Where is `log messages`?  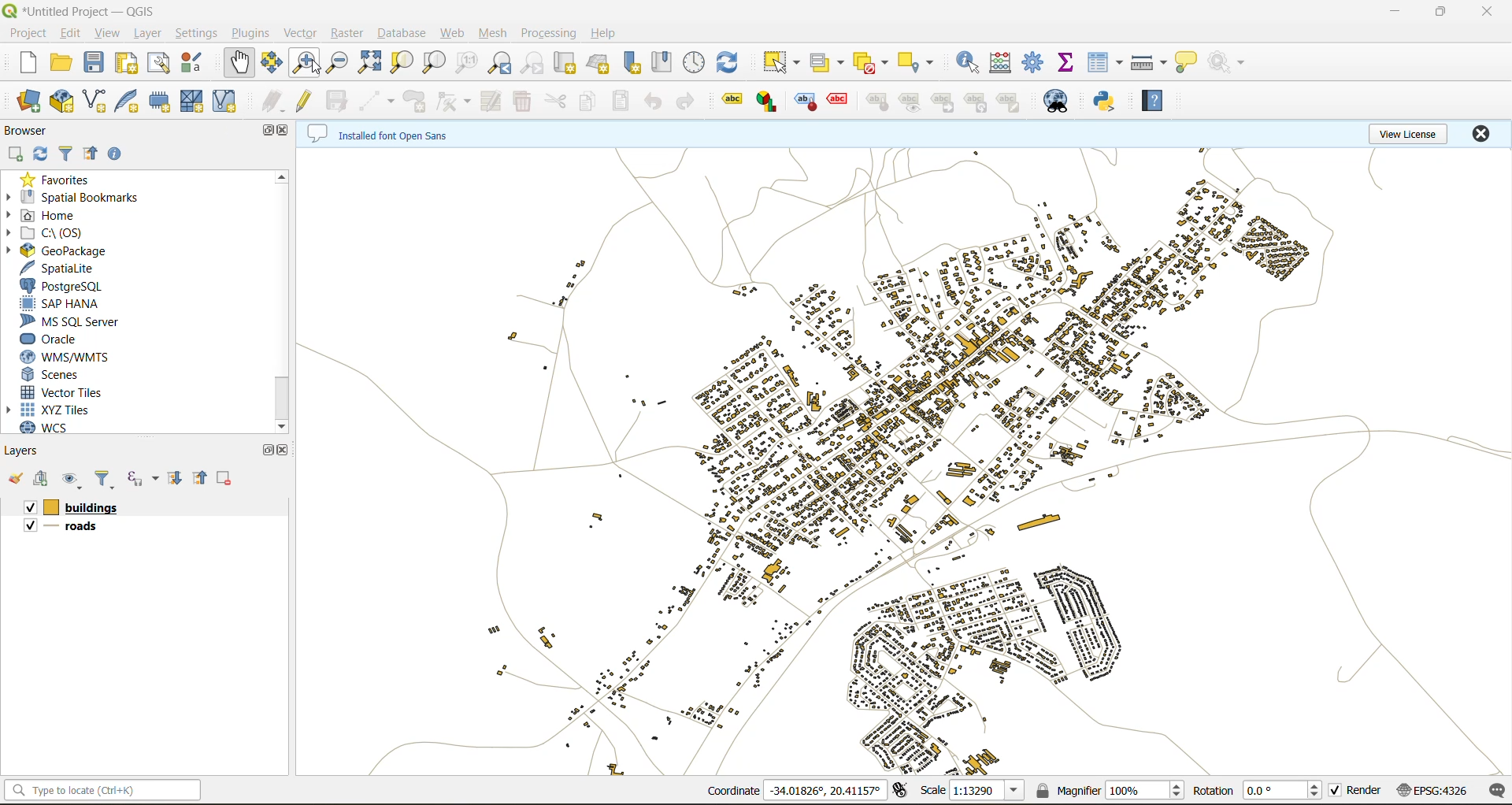 log messages is located at coordinates (1499, 791).